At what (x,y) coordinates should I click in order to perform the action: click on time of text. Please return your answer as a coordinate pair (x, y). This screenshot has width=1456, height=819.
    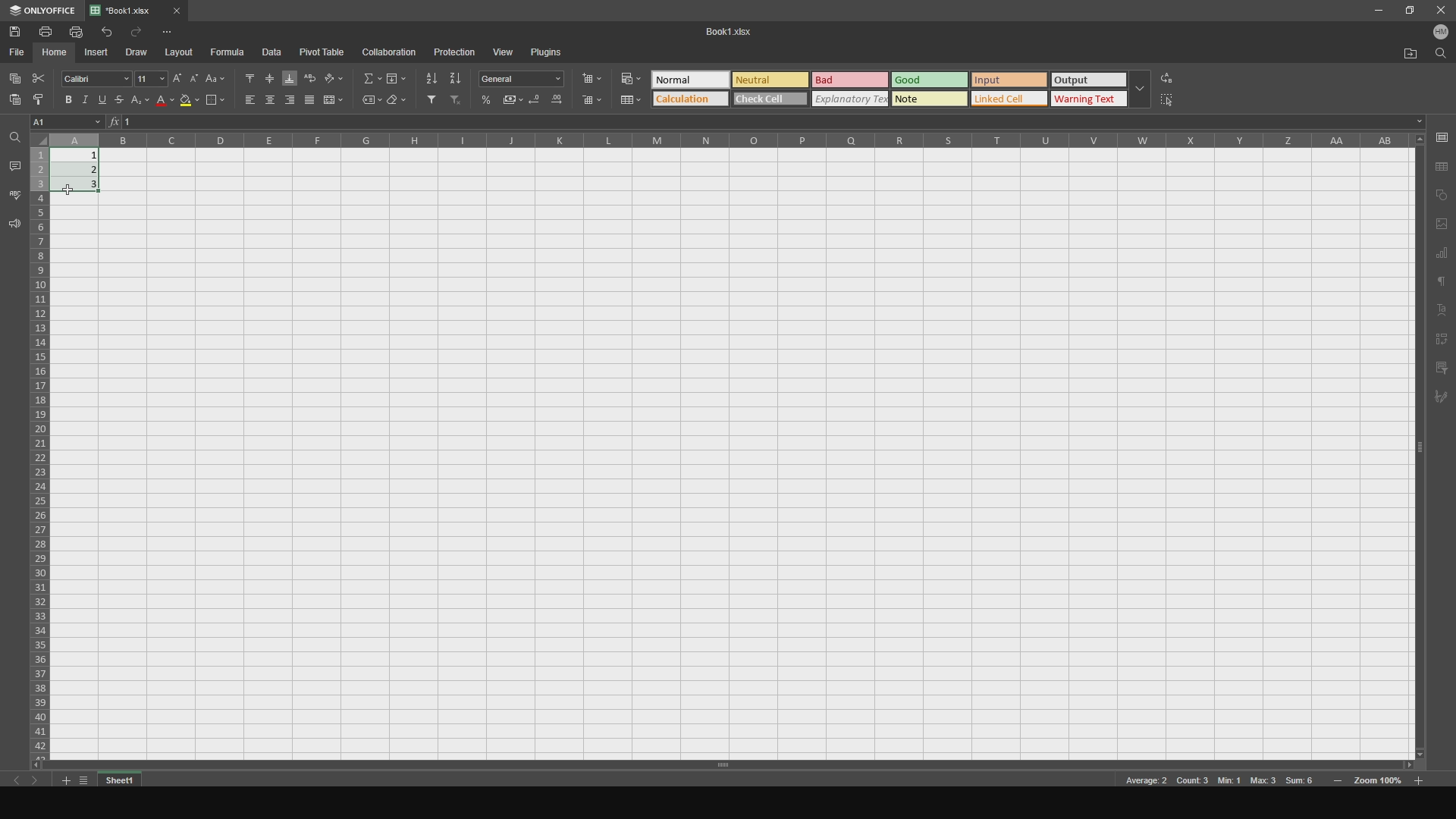
    Looking at the image, I should click on (901, 88).